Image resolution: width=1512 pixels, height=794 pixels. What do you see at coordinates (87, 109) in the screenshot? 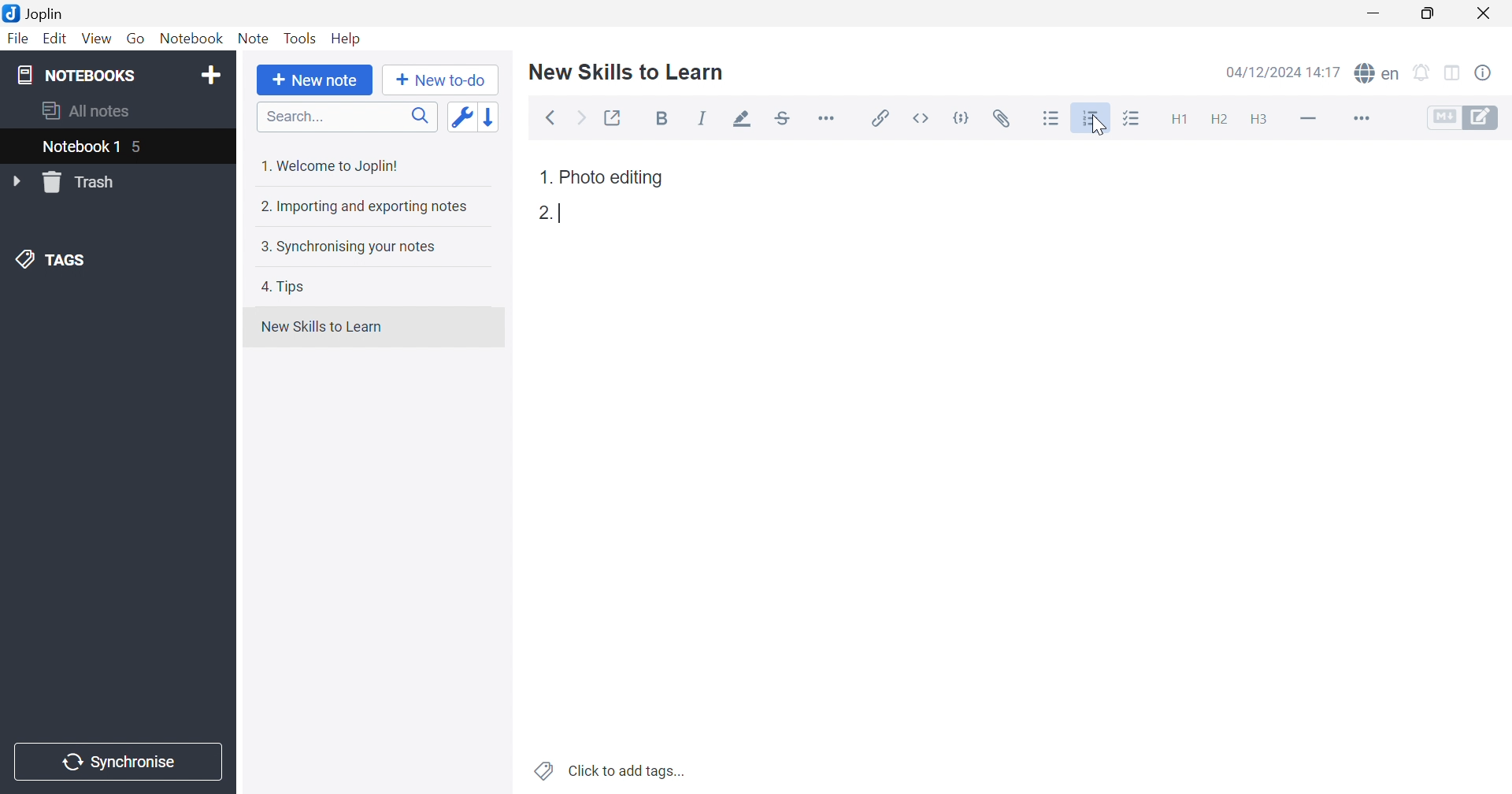
I see `All notes` at bounding box center [87, 109].